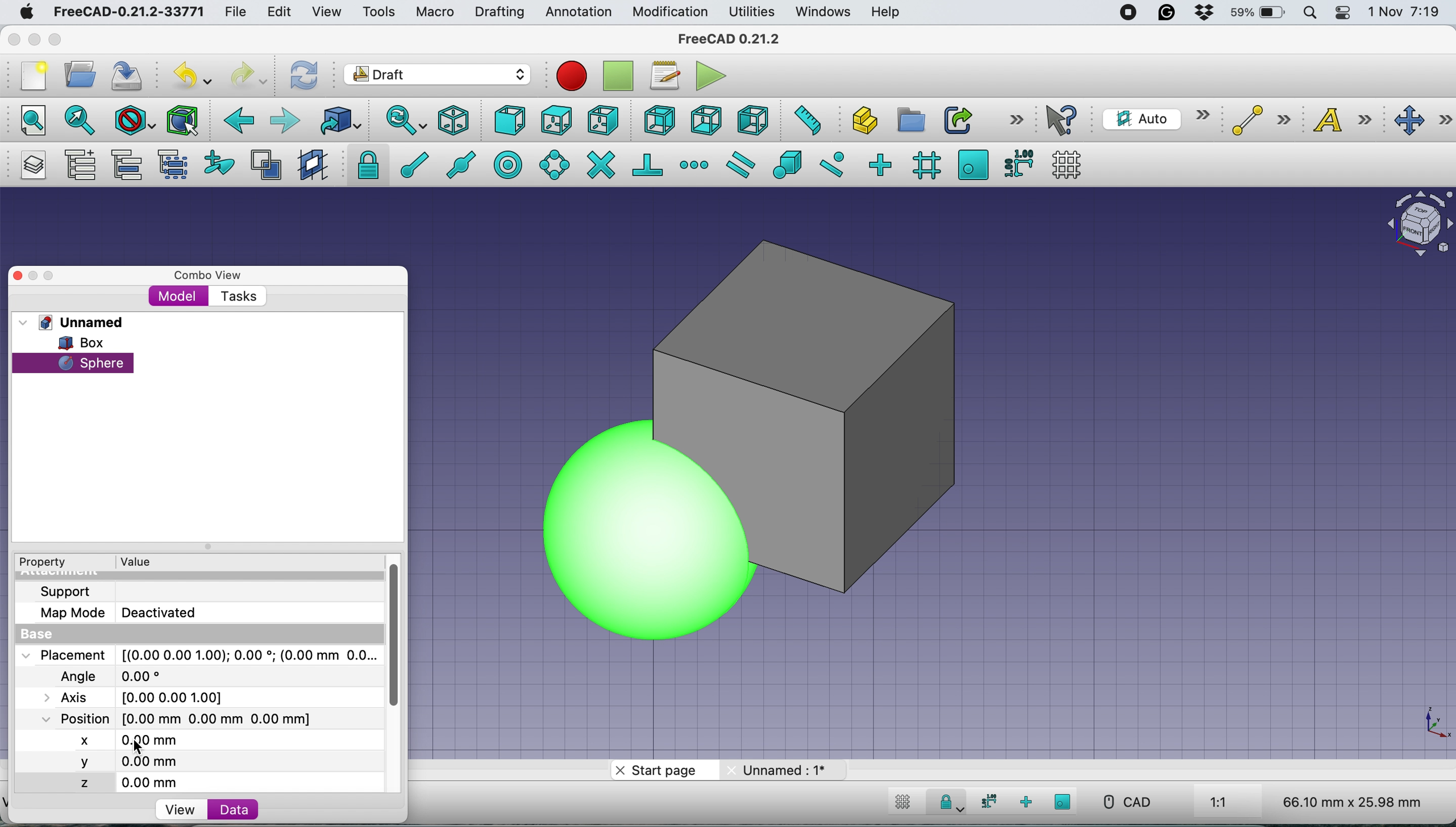 This screenshot has width=1456, height=827. What do you see at coordinates (661, 772) in the screenshot?
I see `start page` at bounding box center [661, 772].